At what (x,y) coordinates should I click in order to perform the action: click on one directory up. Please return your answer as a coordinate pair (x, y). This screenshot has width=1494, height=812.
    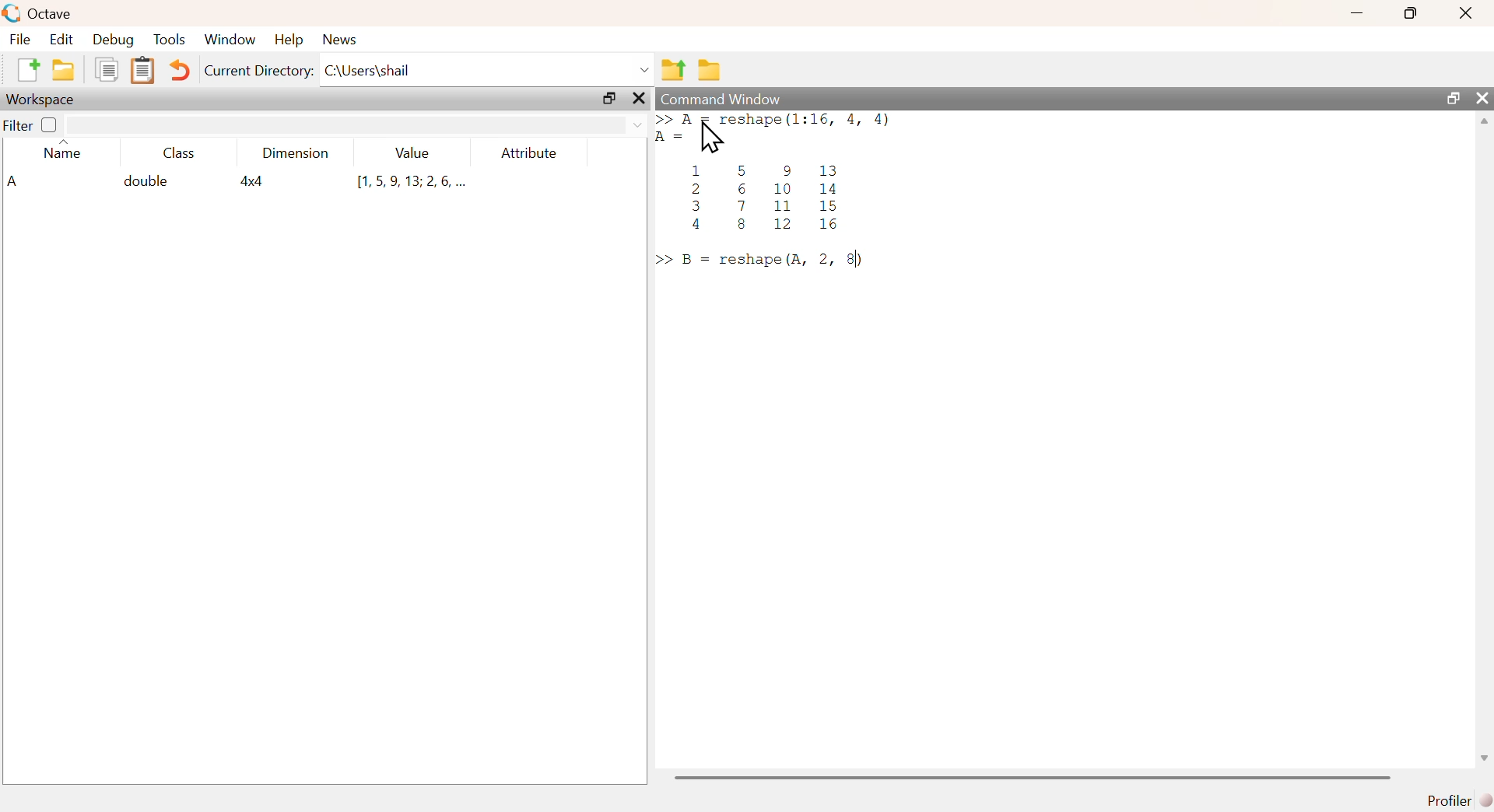
    Looking at the image, I should click on (673, 70).